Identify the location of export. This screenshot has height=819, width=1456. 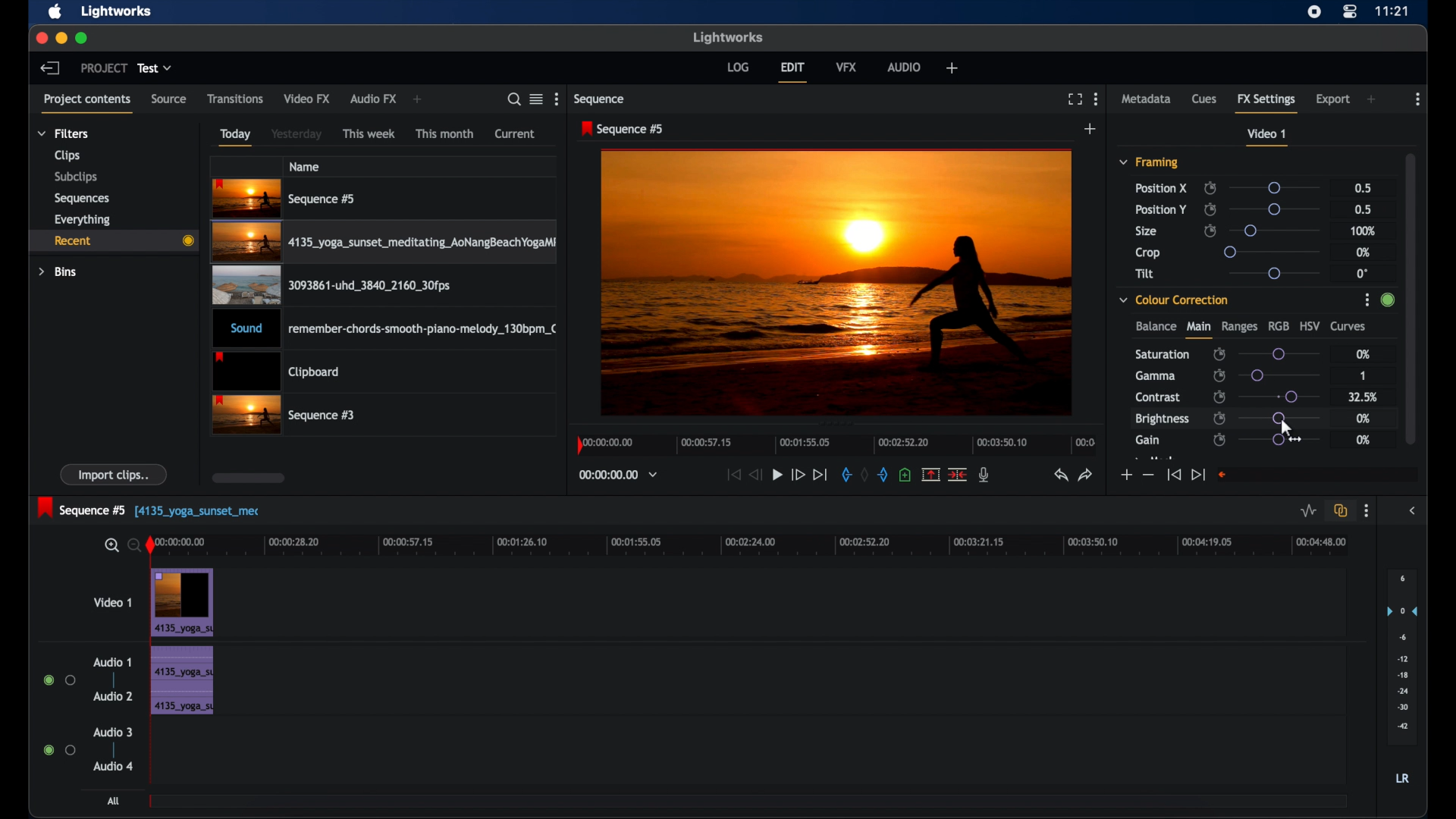
(1334, 99).